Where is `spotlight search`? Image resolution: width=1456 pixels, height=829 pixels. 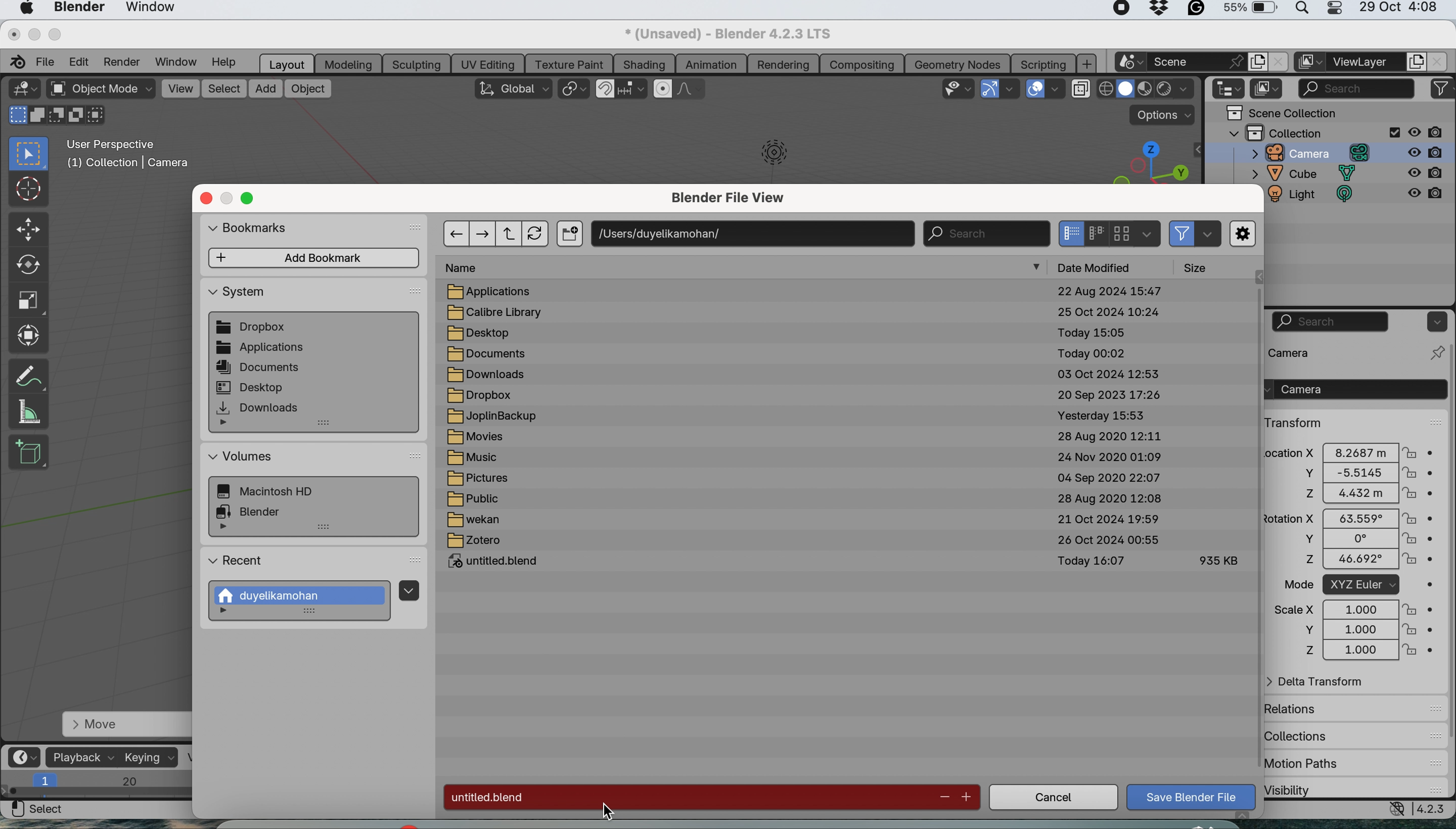
spotlight search is located at coordinates (1300, 11).